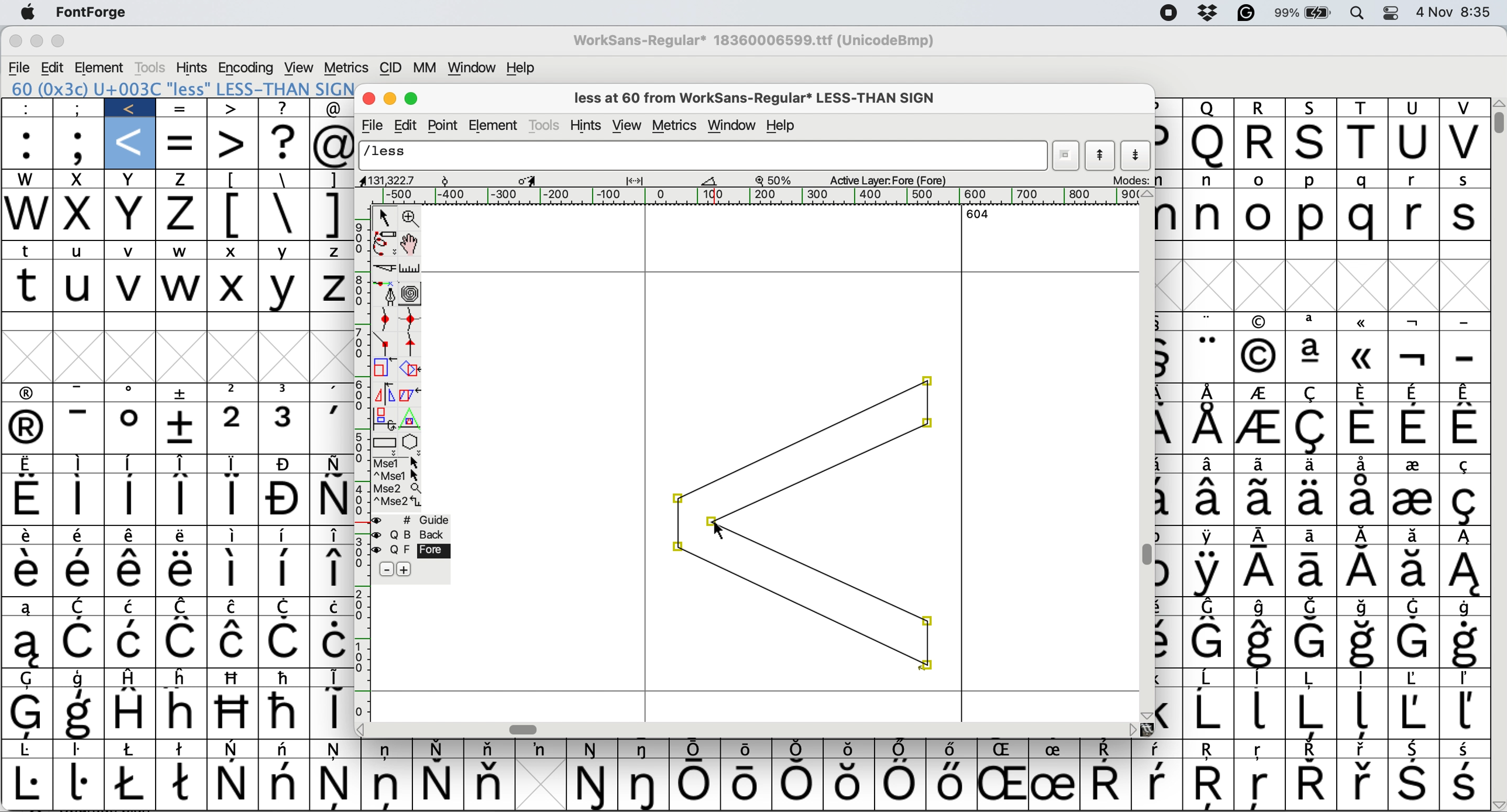 This screenshot has width=1507, height=812. I want to click on Symbol, so click(1364, 572).